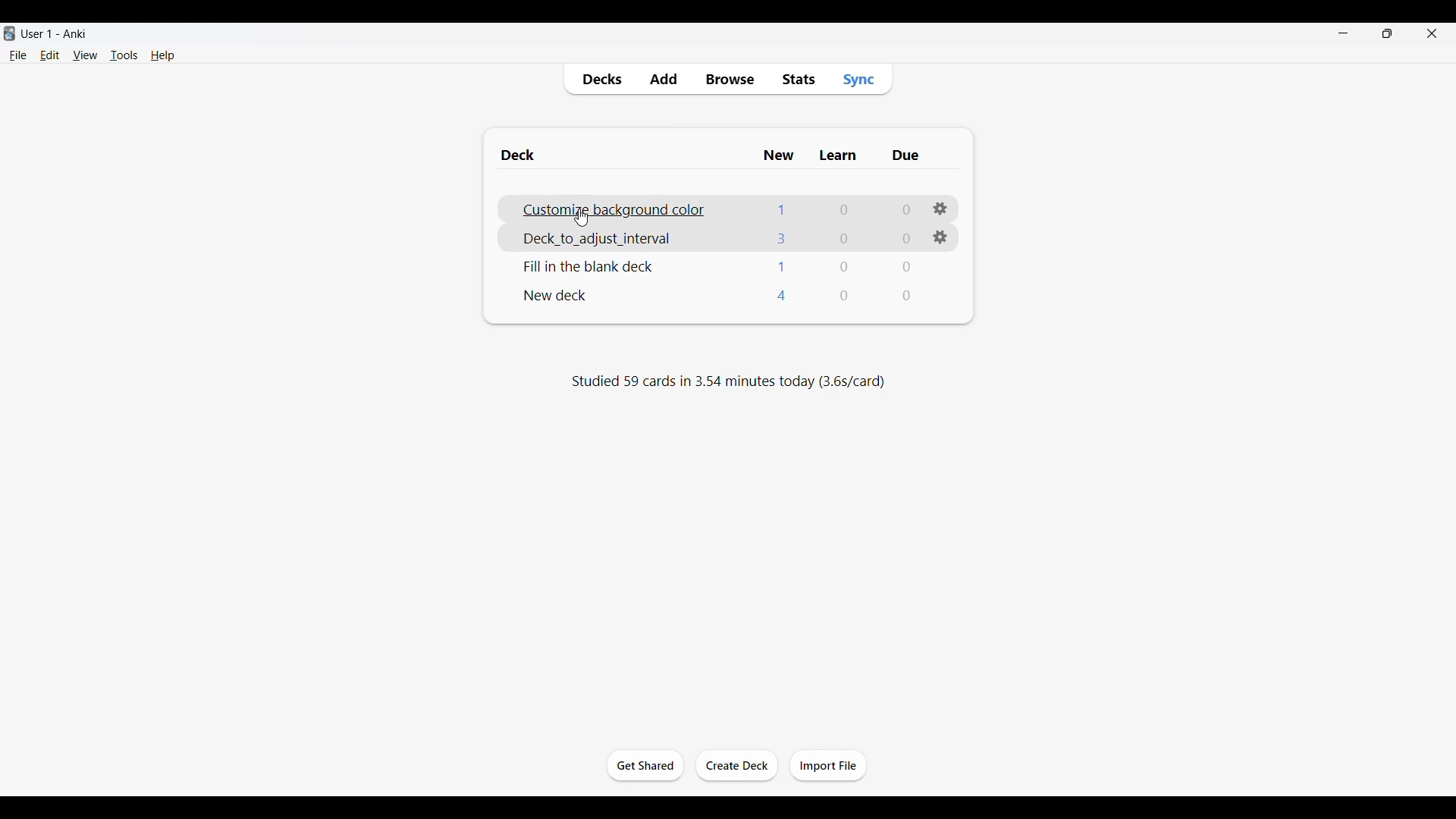 The image size is (1456, 819). Describe the element at coordinates (727, 381) in the screenshot. I see `Details of studied cards` at that location.